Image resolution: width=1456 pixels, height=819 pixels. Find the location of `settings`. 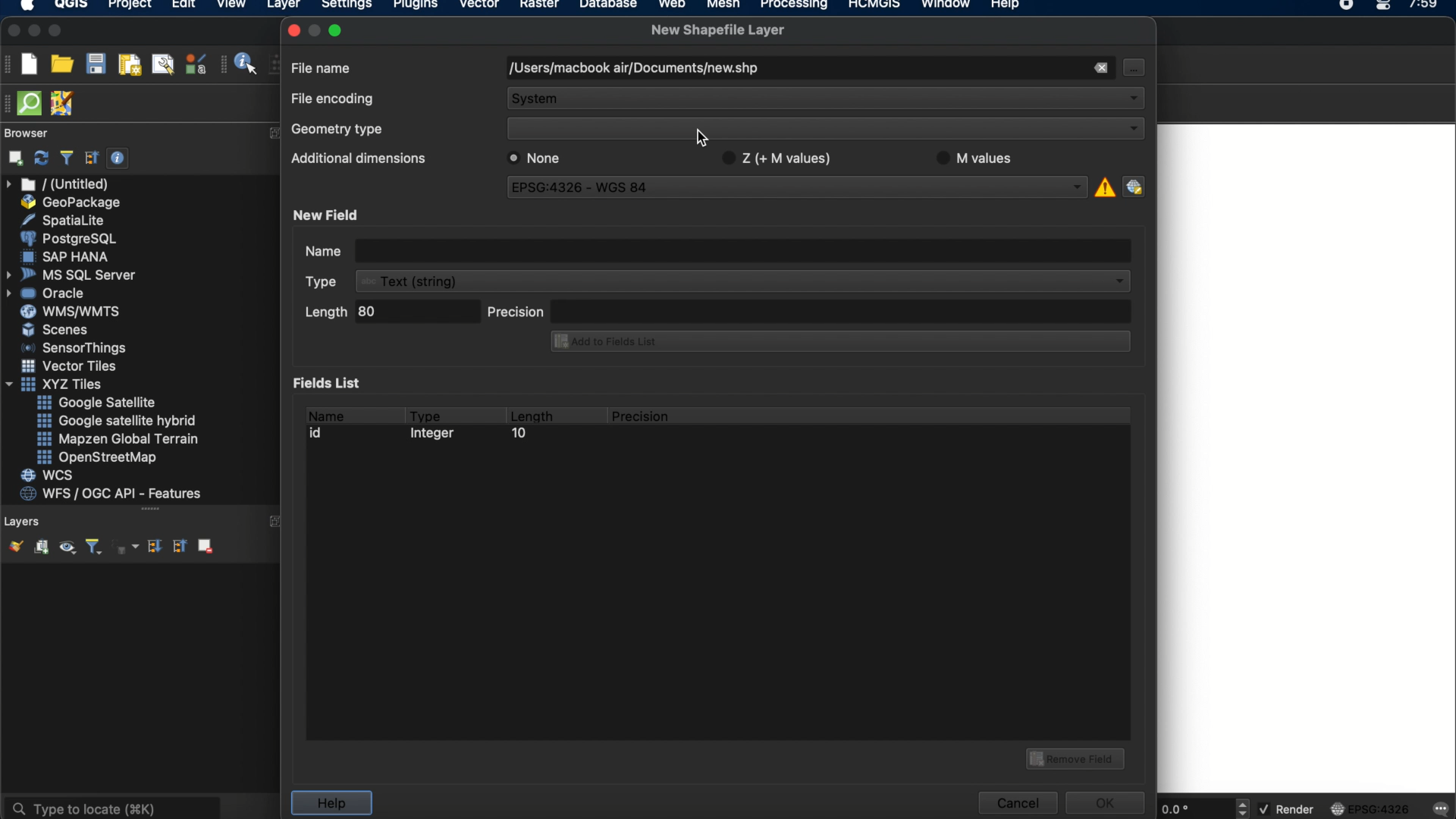

settings is located at coordinates (346, 7).